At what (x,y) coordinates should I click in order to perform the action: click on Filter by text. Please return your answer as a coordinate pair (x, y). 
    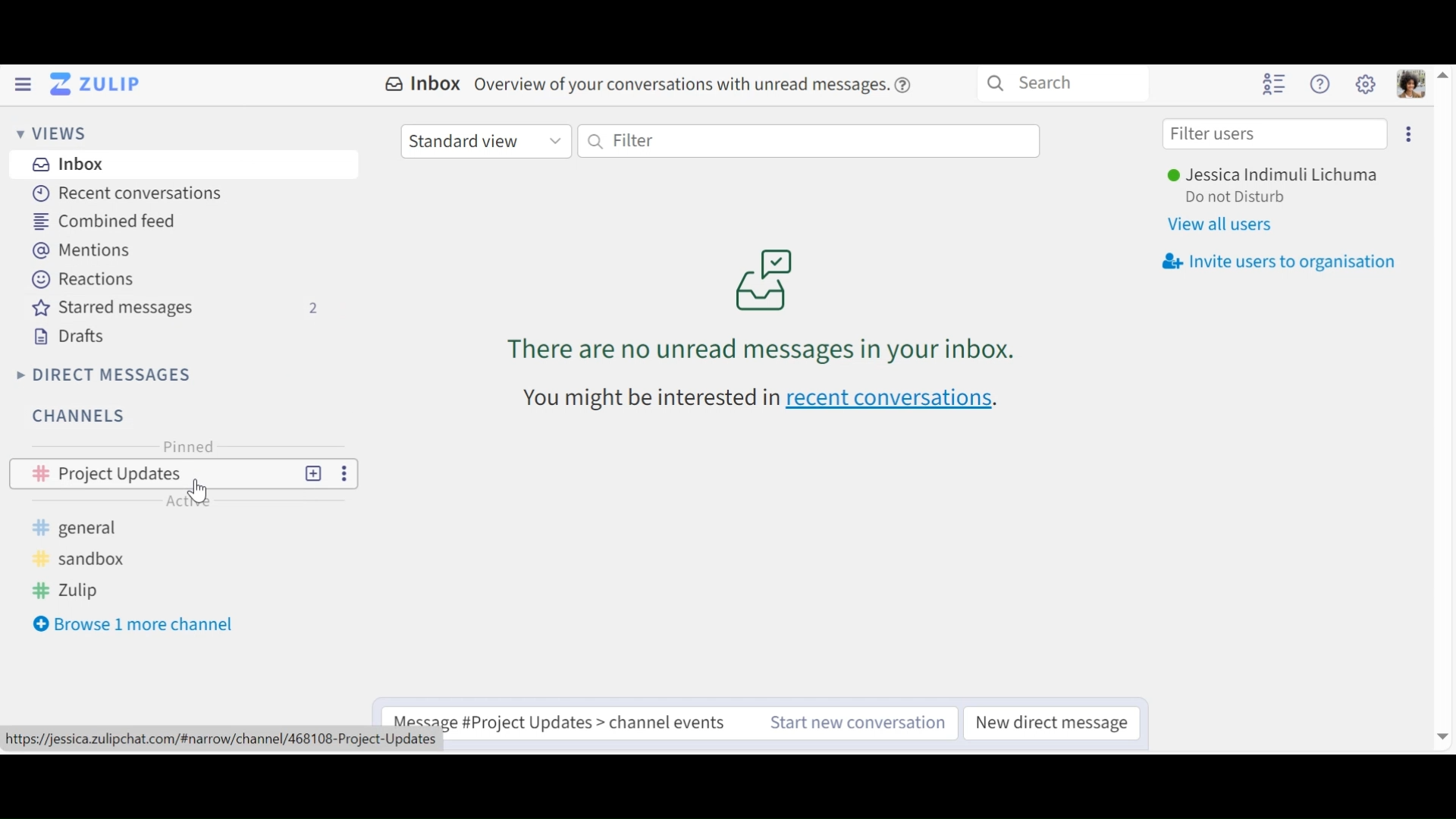
    Looking at the image, I should click on (809, 141).